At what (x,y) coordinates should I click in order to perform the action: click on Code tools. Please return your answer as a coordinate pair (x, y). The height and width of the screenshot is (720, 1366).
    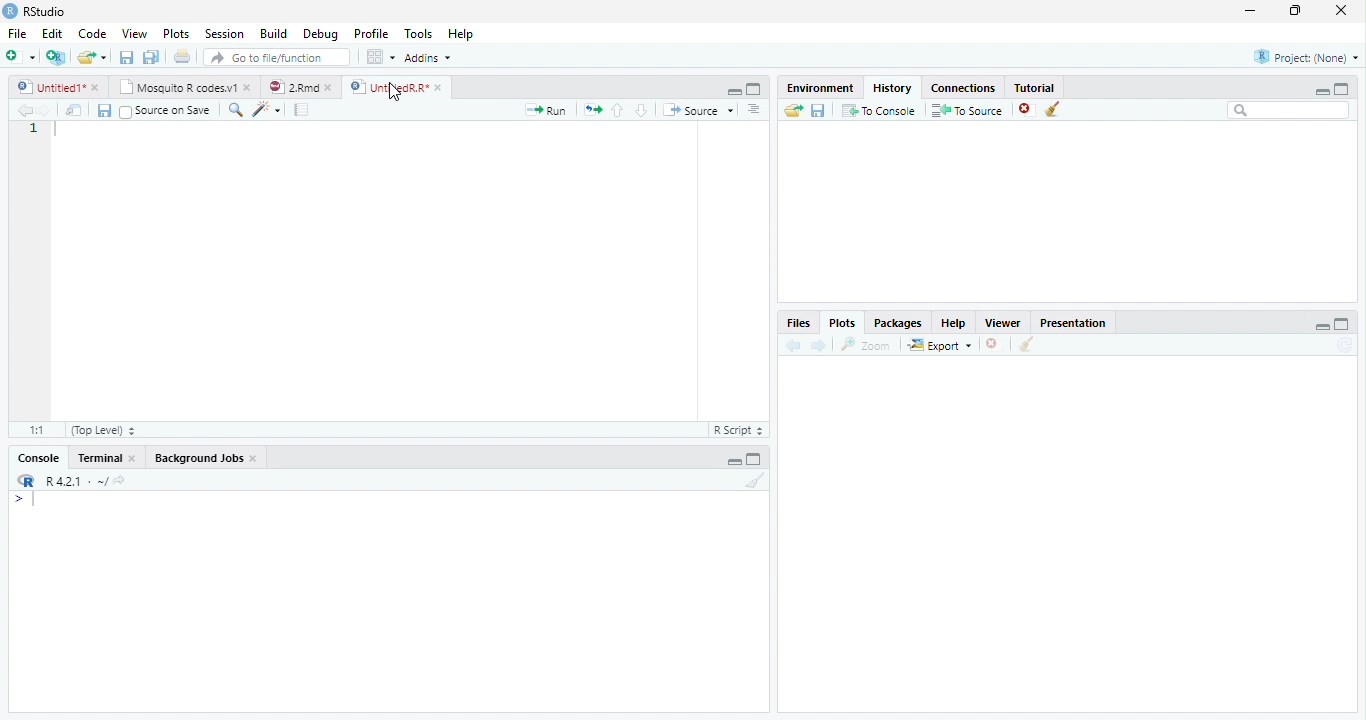
    Looking at the image, I should click on (267, 109).